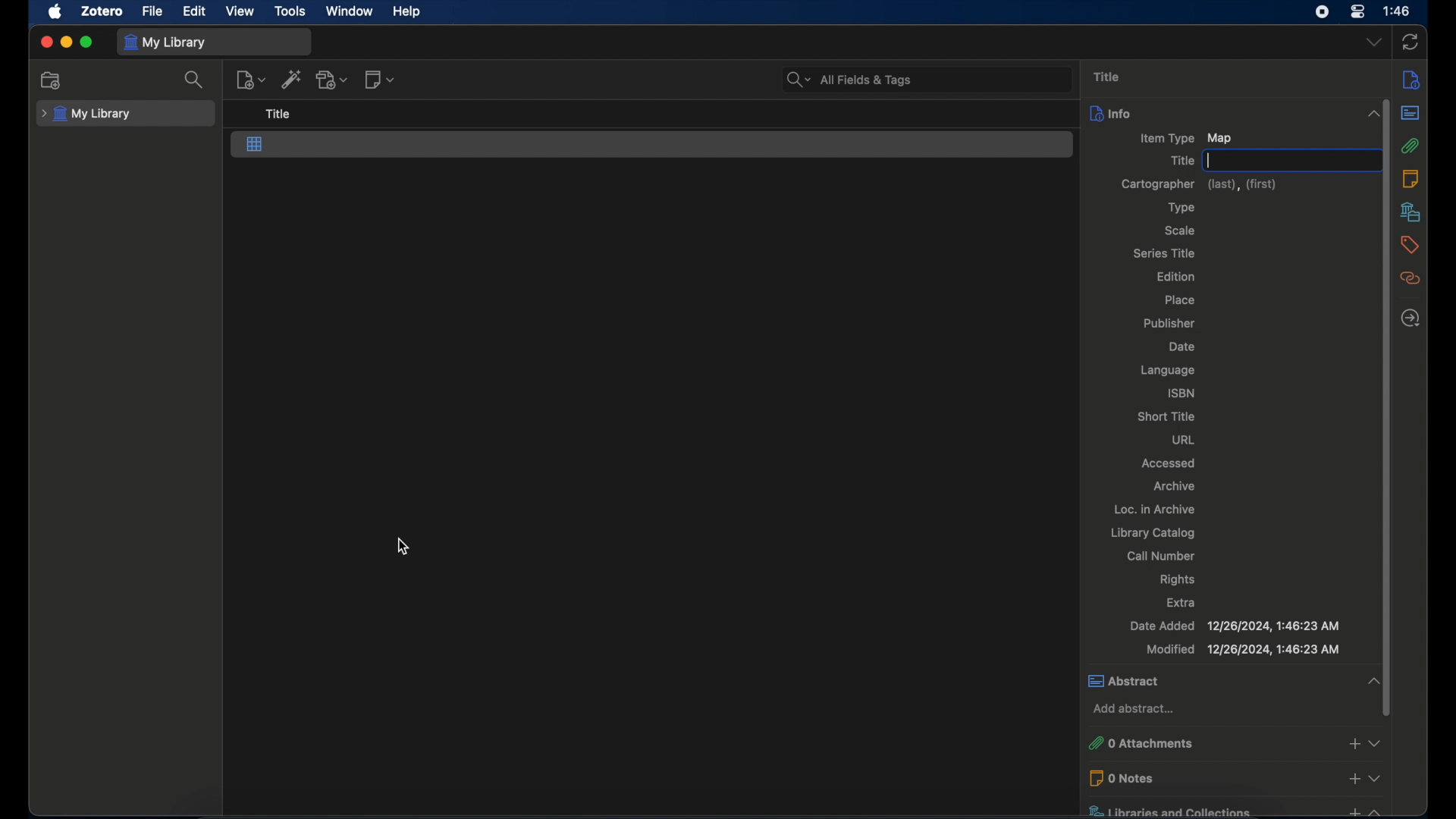 Image resolution: width=1456 pixels, height=819 pixels. Describe the element at coordinates (1411, 81) in the screenshot. I see `info` at that location.